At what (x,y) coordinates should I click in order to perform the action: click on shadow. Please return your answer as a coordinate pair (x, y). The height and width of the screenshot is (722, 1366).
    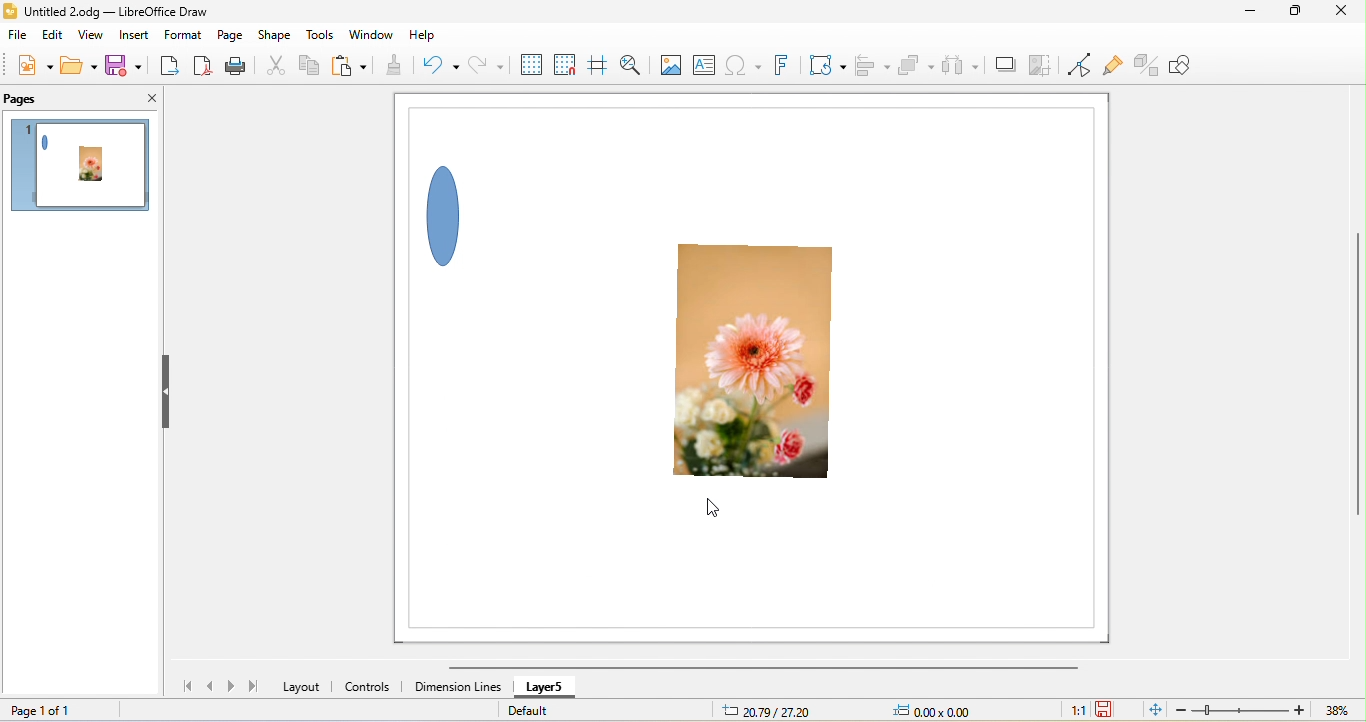
    Looking at the image, I should click on (993, 66).